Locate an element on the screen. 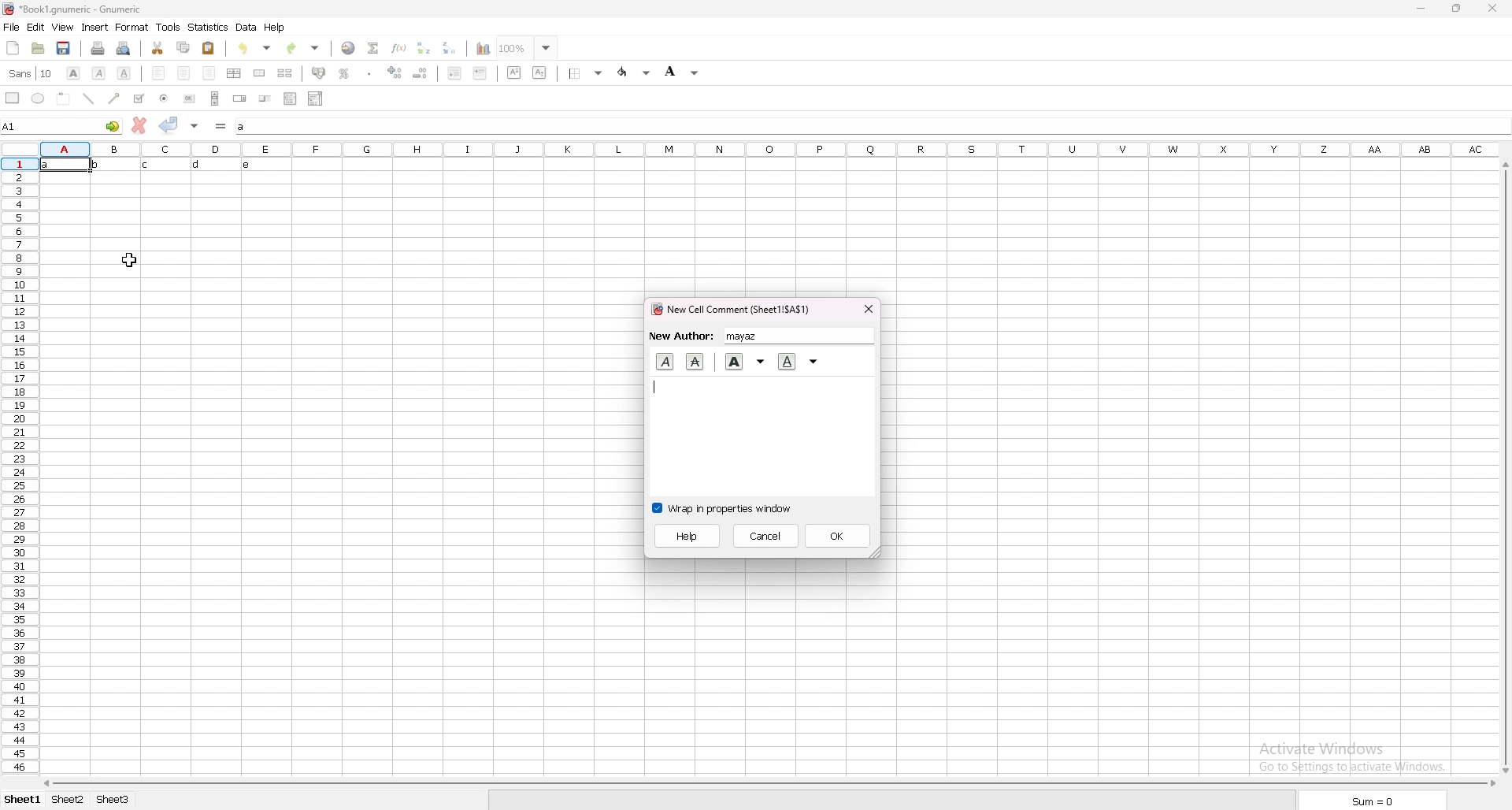  cancel is located at coordinates (767, 535).